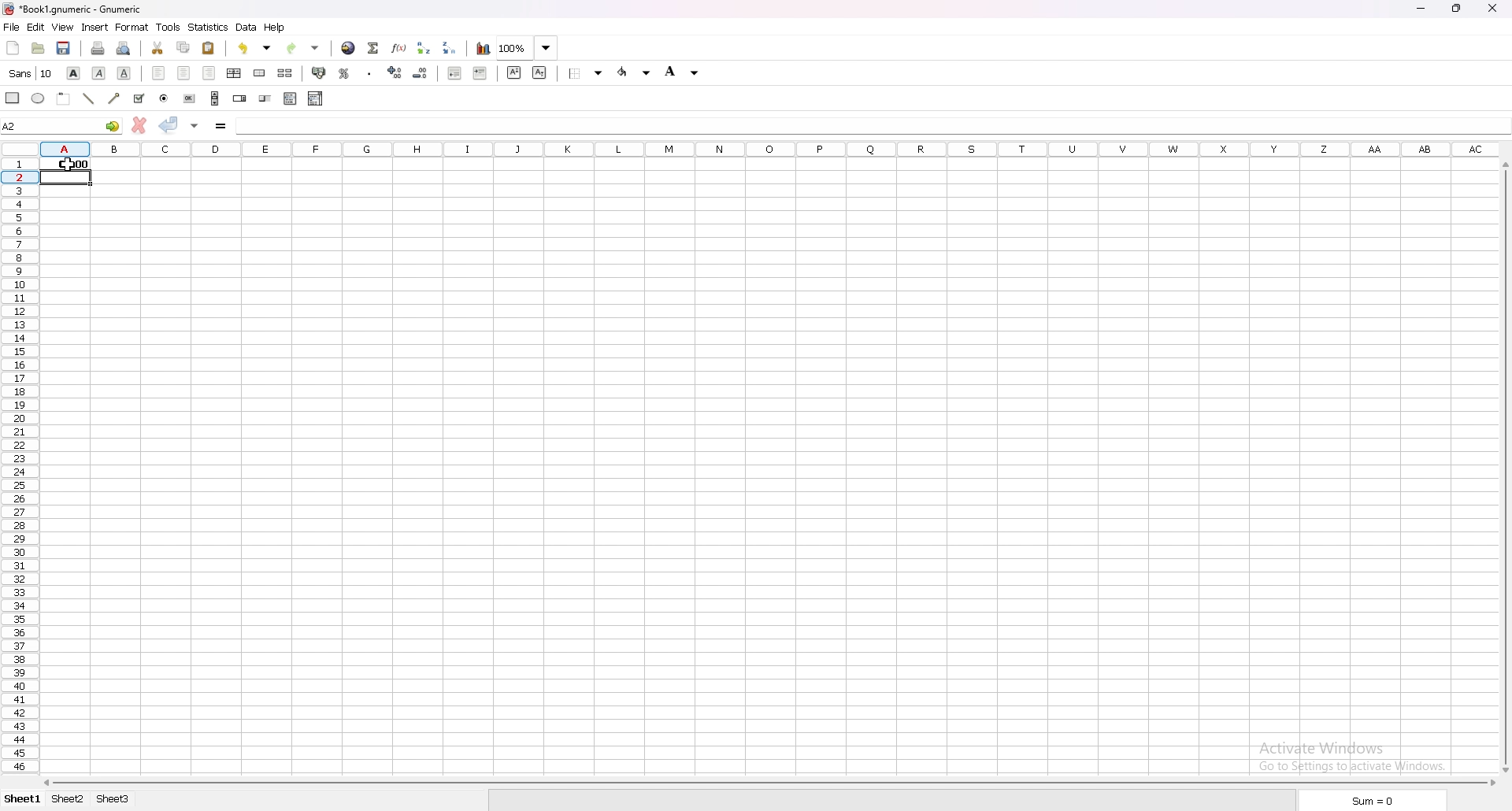 This screenshot has height=811, width=1512. What do you see at coordinates (349, 47) in the screenshot?
I see `hyperlinnk` at bounding box center [349, 47].